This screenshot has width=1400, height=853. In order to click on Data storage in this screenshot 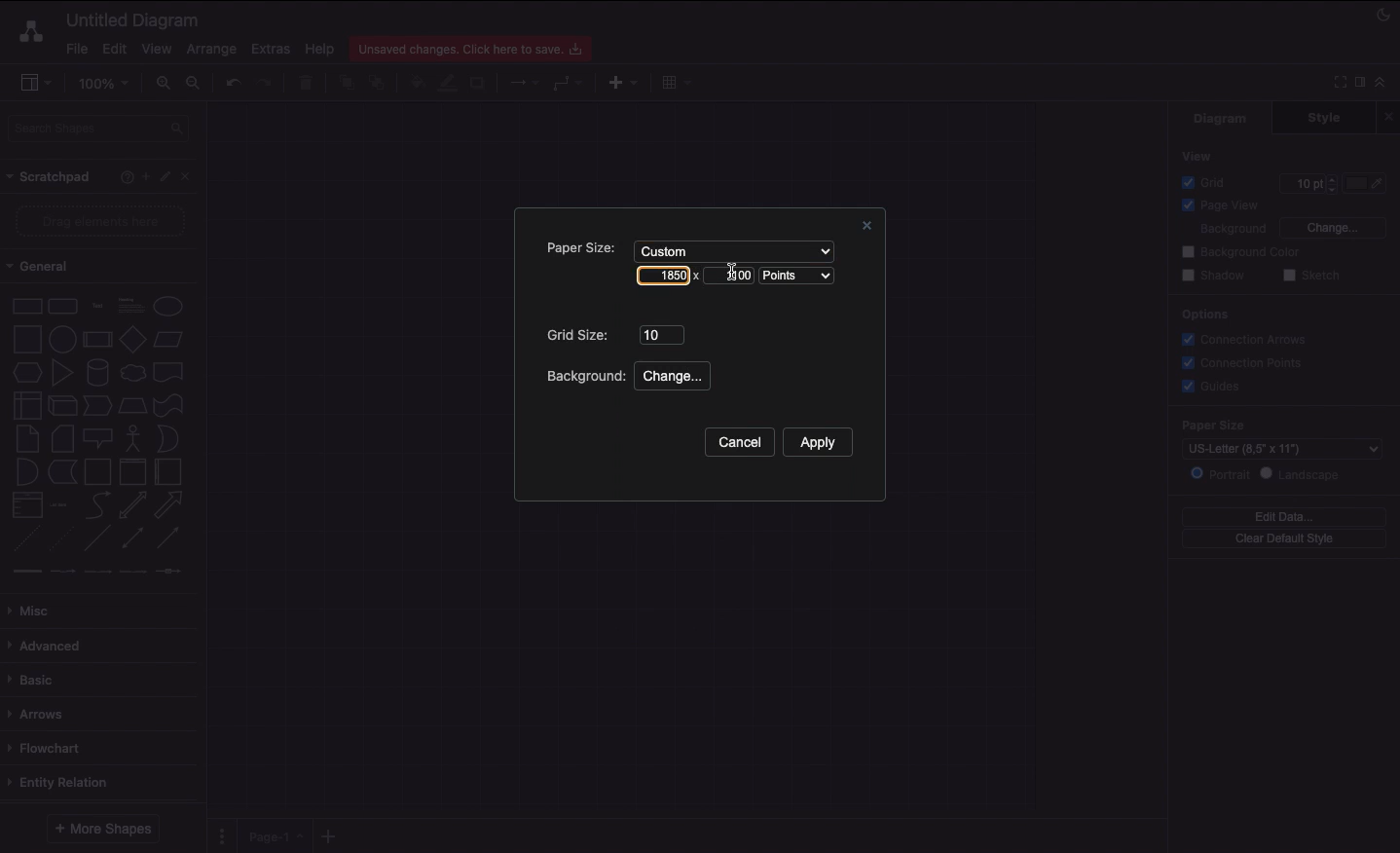, I will do `click(62, 473)`.